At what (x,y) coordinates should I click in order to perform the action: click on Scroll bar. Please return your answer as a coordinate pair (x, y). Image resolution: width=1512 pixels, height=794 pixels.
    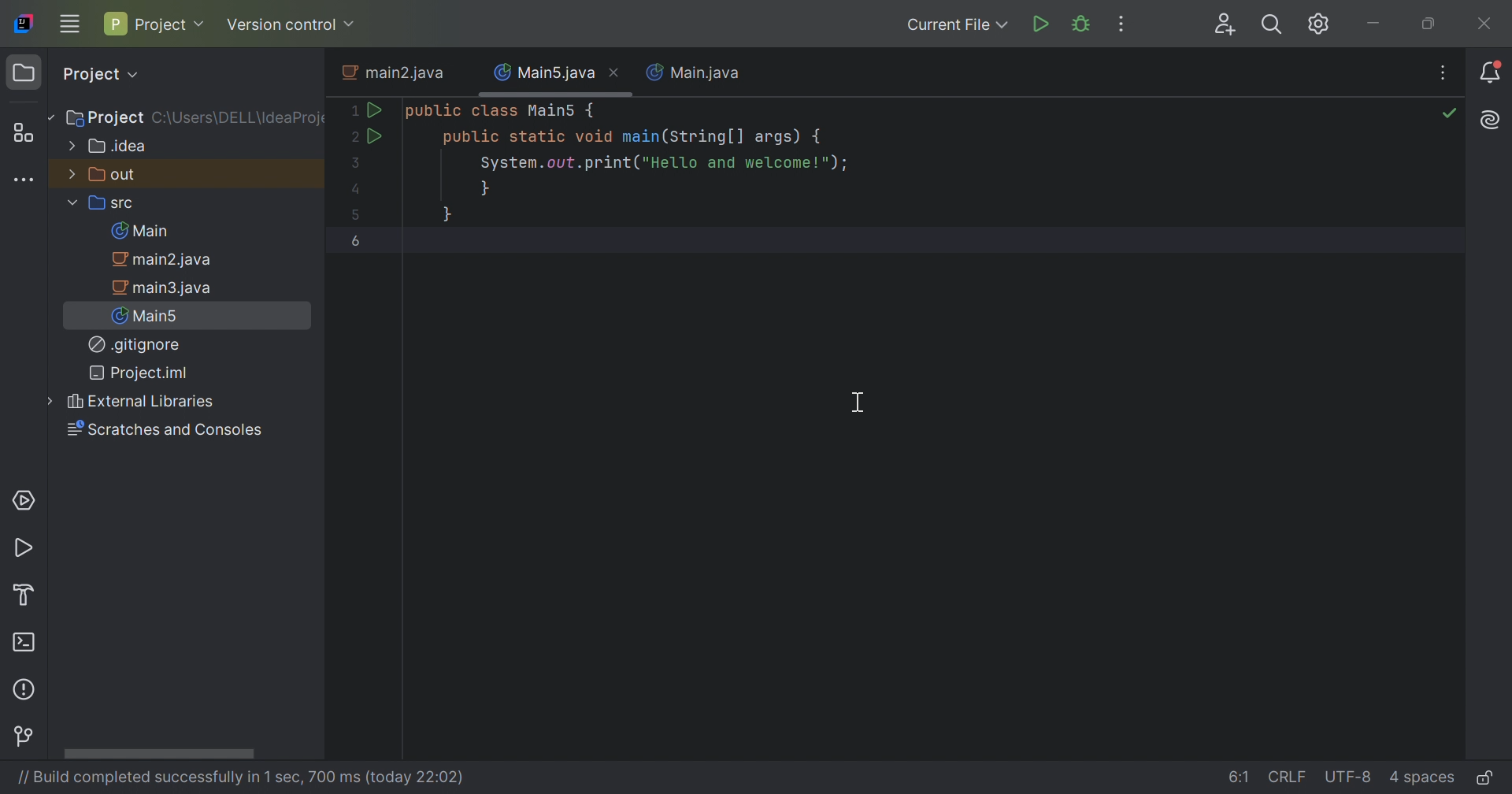
    Looking at the image, I should click on (158, 754).